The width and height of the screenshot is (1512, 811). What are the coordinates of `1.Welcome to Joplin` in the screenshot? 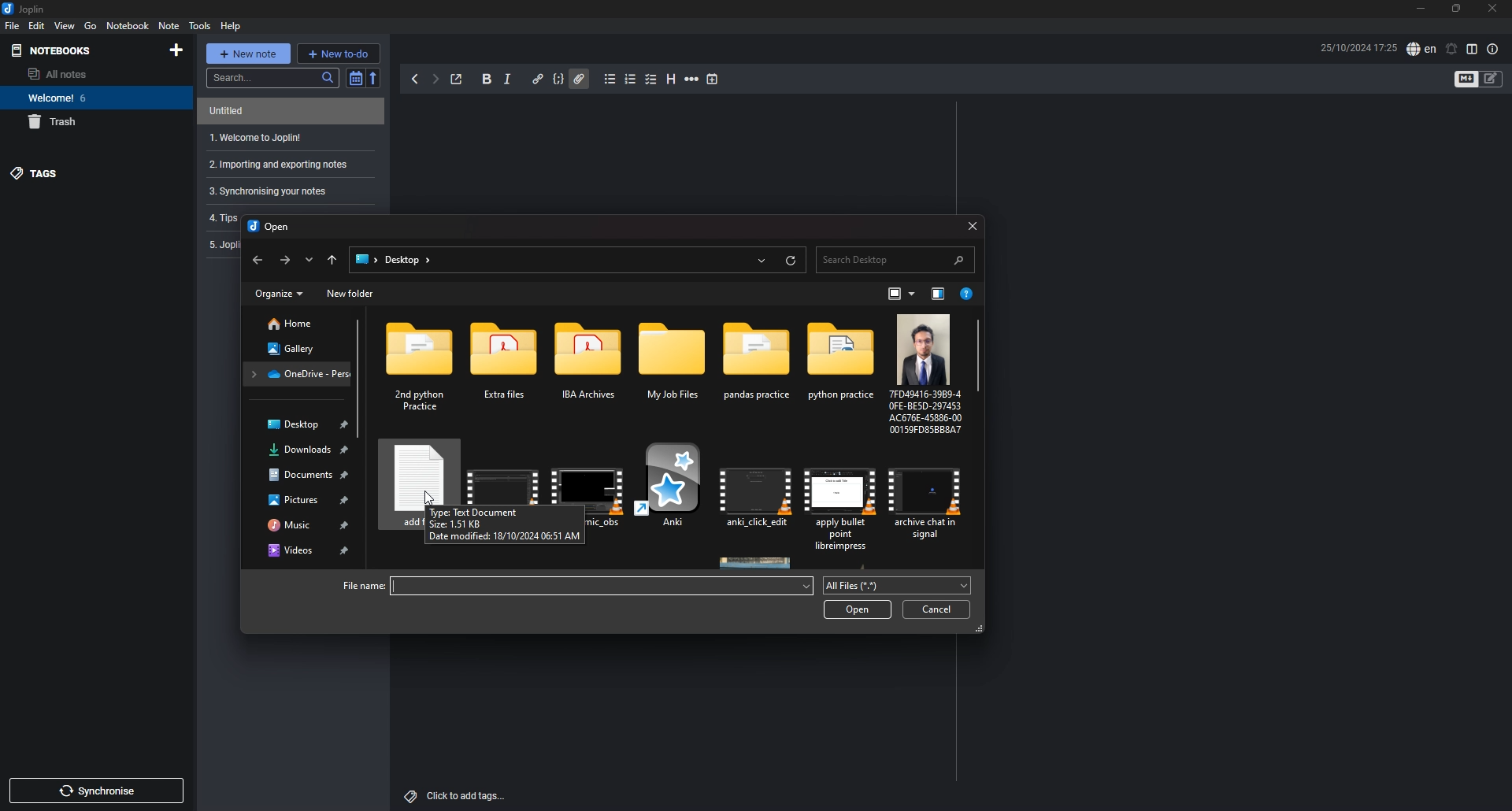 It's located at (287, 138).